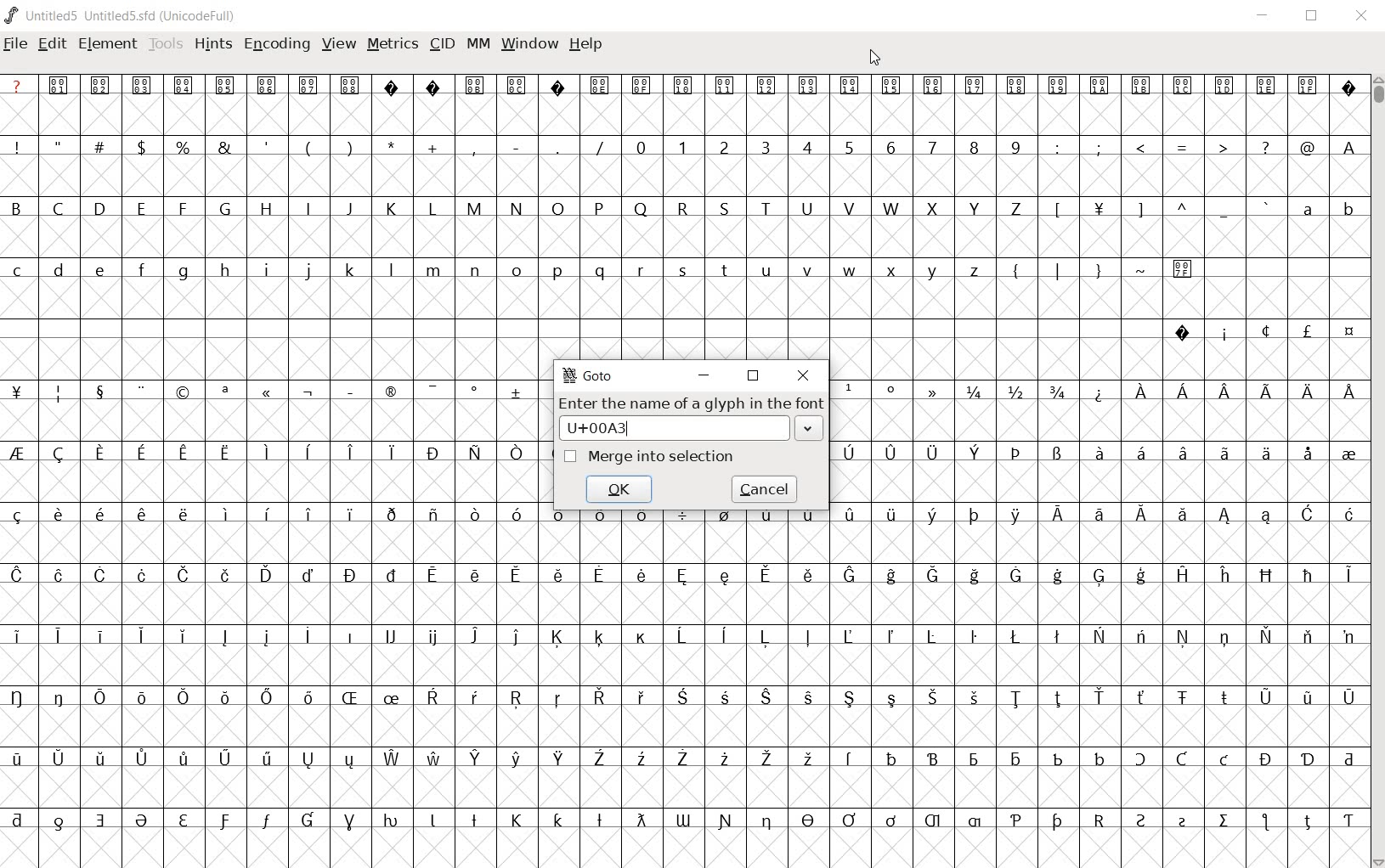  Describe the element at coordinates (99, 513) in the screenshot. I see `Symbol` at that location.